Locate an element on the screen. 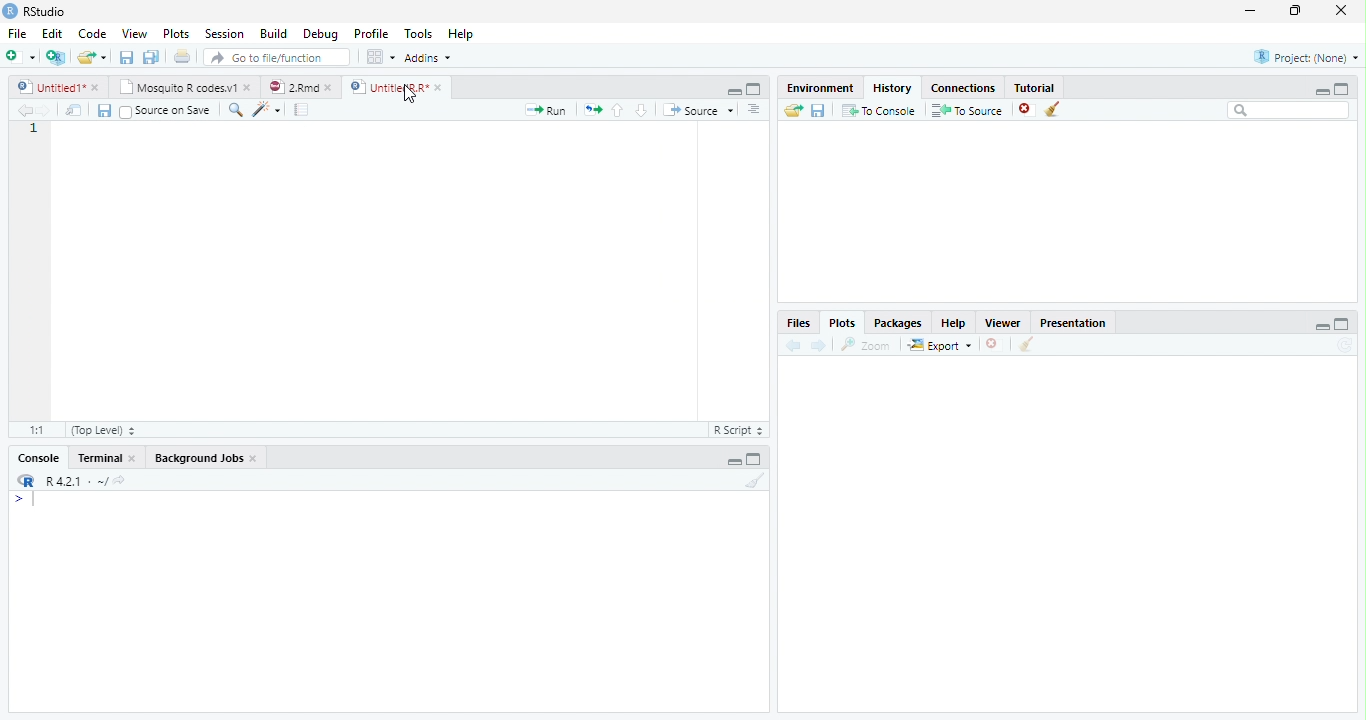  close is located at coordinates (95, 87).